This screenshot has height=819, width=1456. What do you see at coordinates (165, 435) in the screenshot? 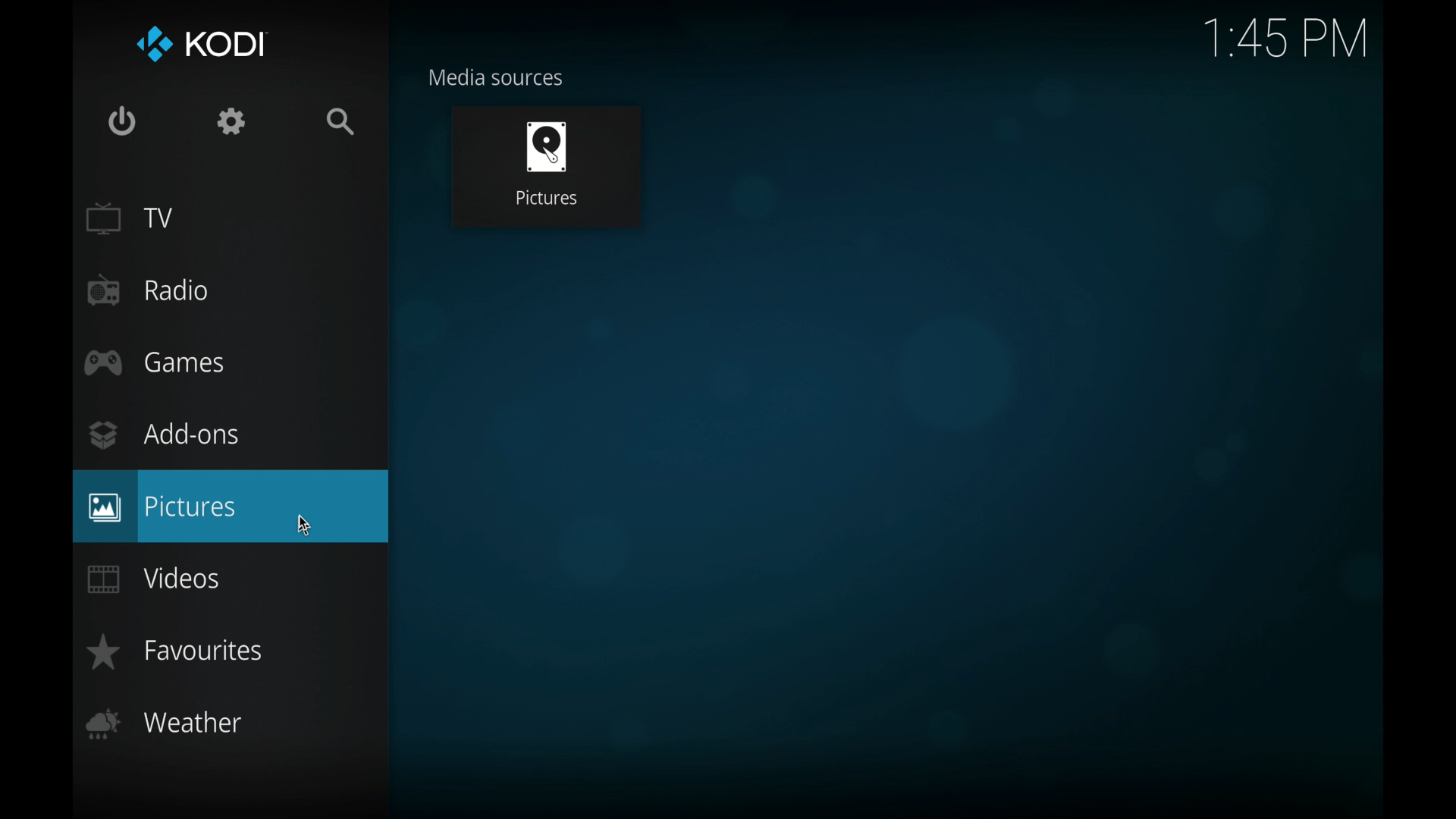
I see `add-ons` at bounding box center [165, 435].